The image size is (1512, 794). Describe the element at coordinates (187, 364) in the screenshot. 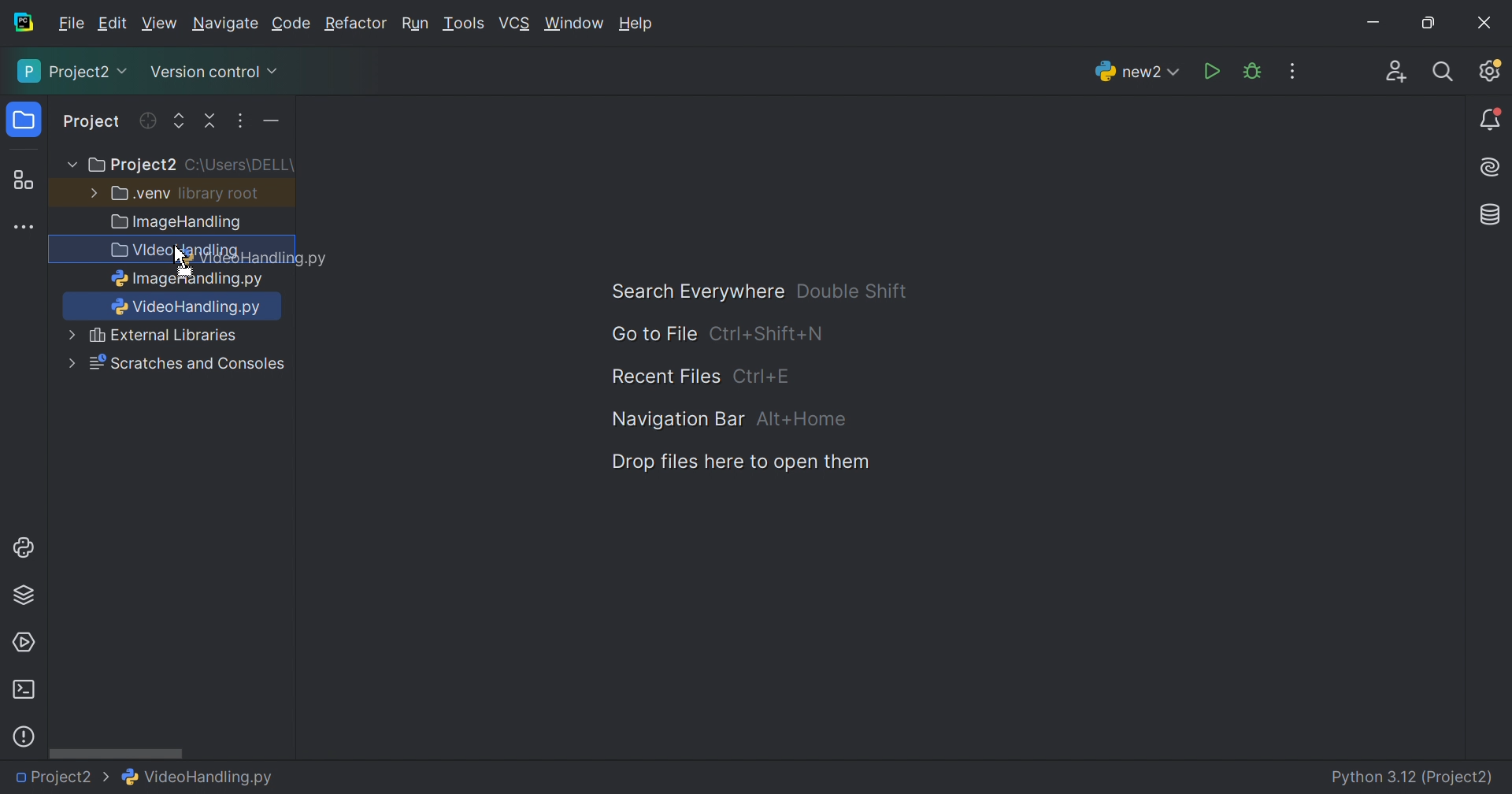

I see `Scratches and Consoles` at that location.